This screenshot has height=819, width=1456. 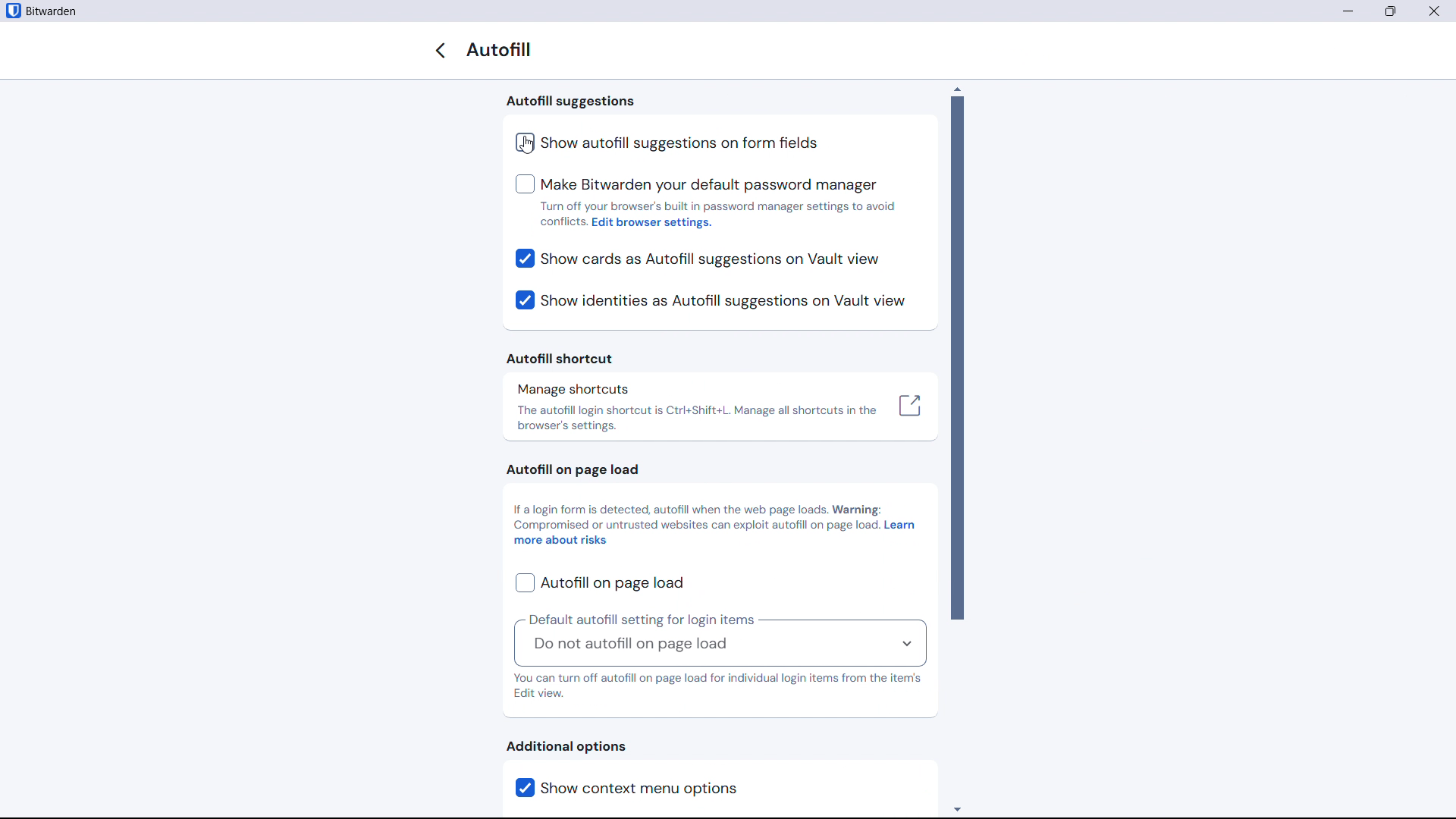 I want to click on title, so click(x=52, y=11).